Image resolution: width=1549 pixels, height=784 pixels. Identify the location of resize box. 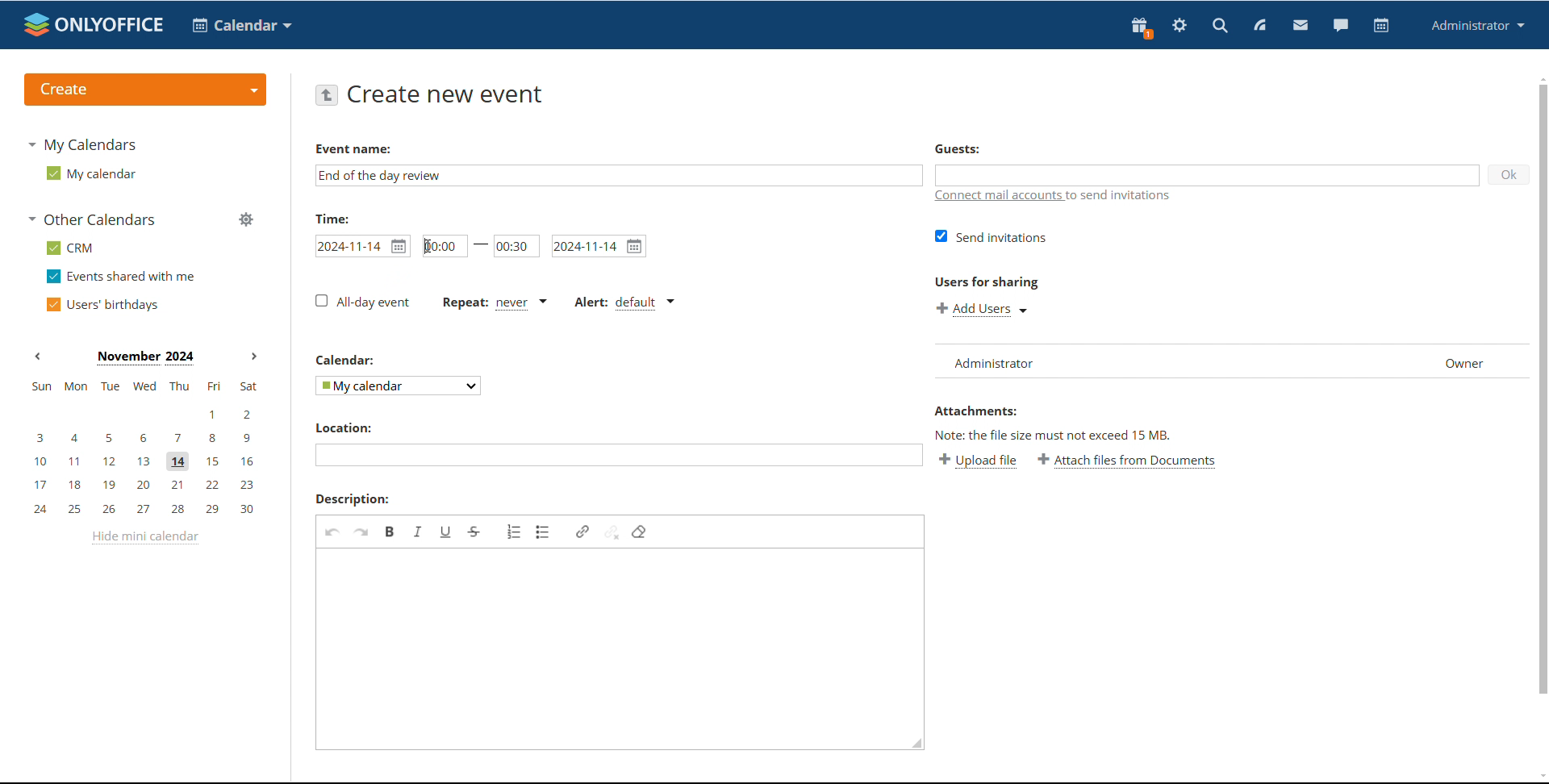
(913, 746).